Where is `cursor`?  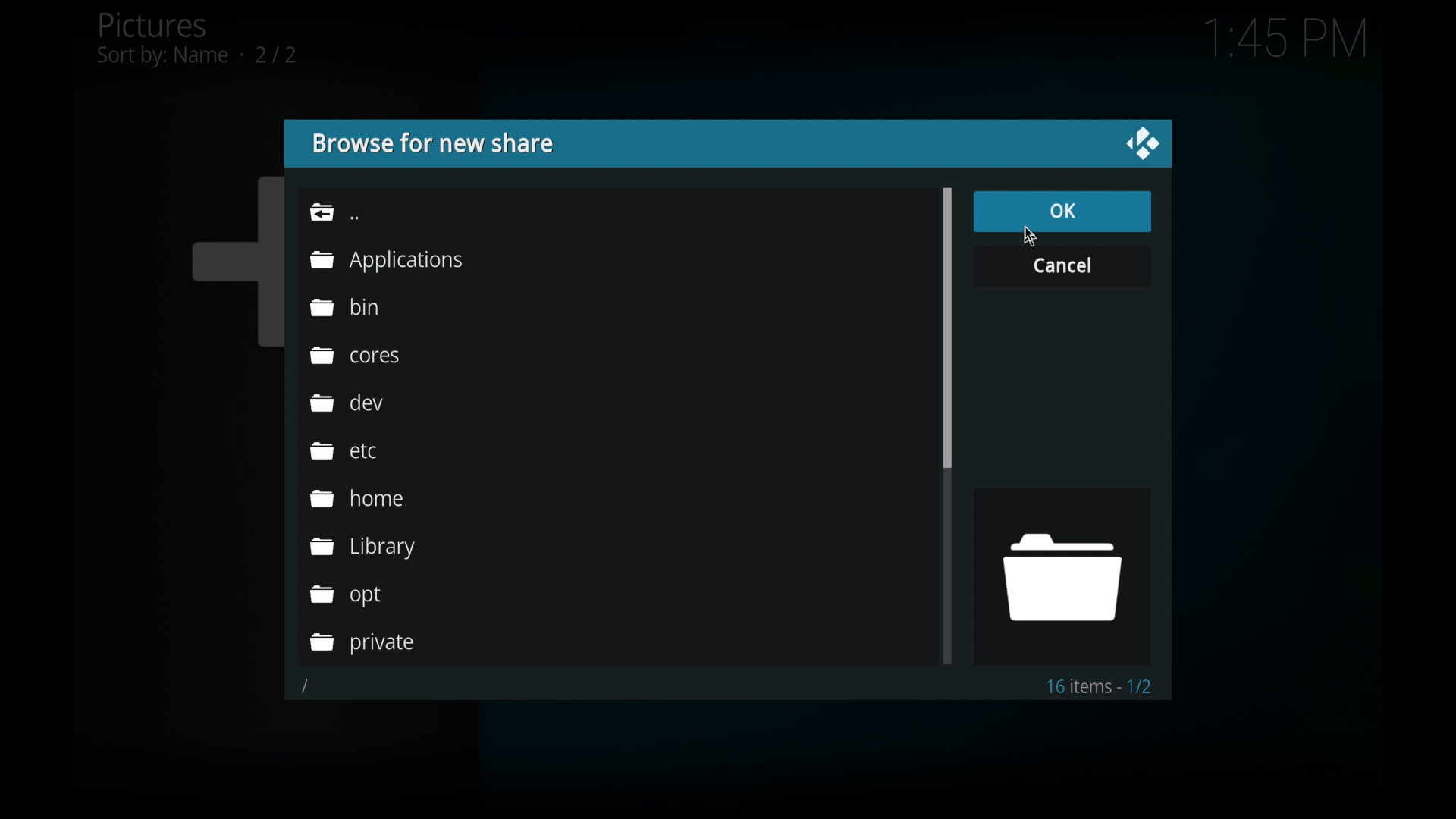 cursor is located at coordinates (1028, 236).